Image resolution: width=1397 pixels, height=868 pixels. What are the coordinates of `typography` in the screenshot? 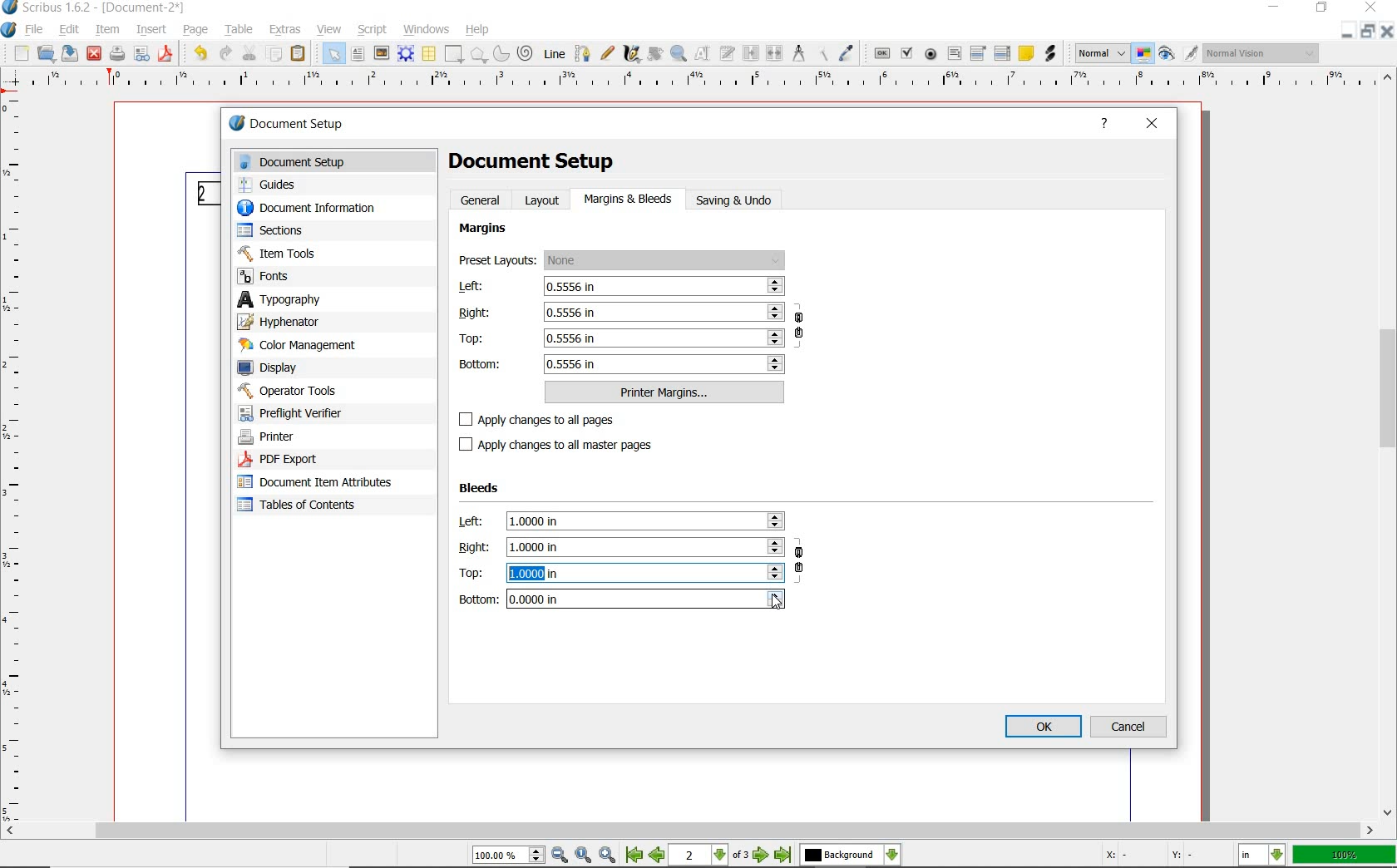 It's located at (334, 301).